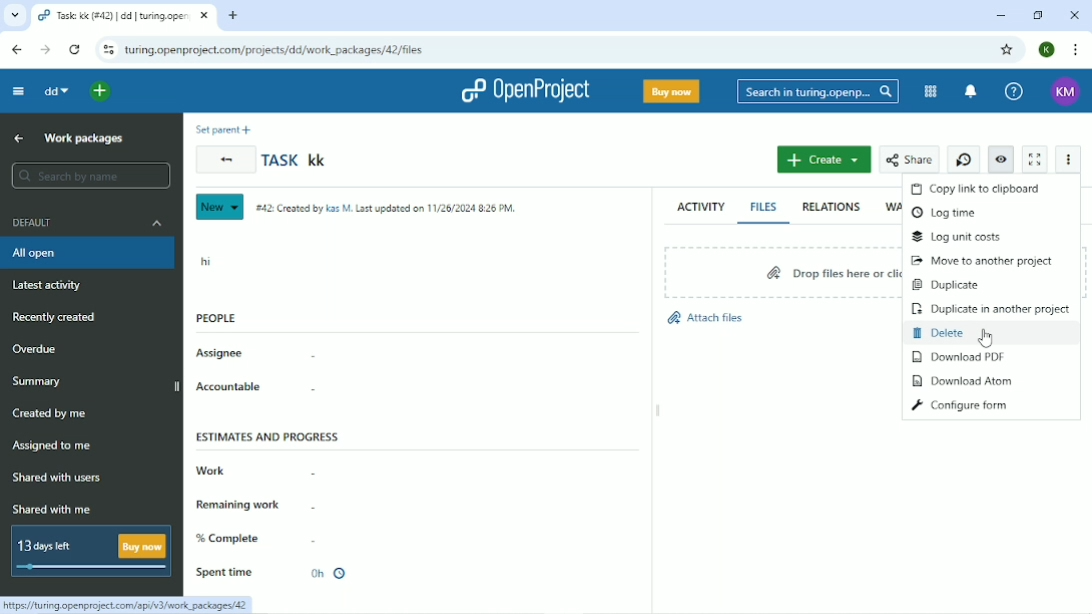 This screenshot has width=1092, height=614. What do you see at coordinates (273, 50) in the screenshot?
I see `turing.openproject.com/projects/dd/work_packages/42/files` at bounding box center [273, 50].